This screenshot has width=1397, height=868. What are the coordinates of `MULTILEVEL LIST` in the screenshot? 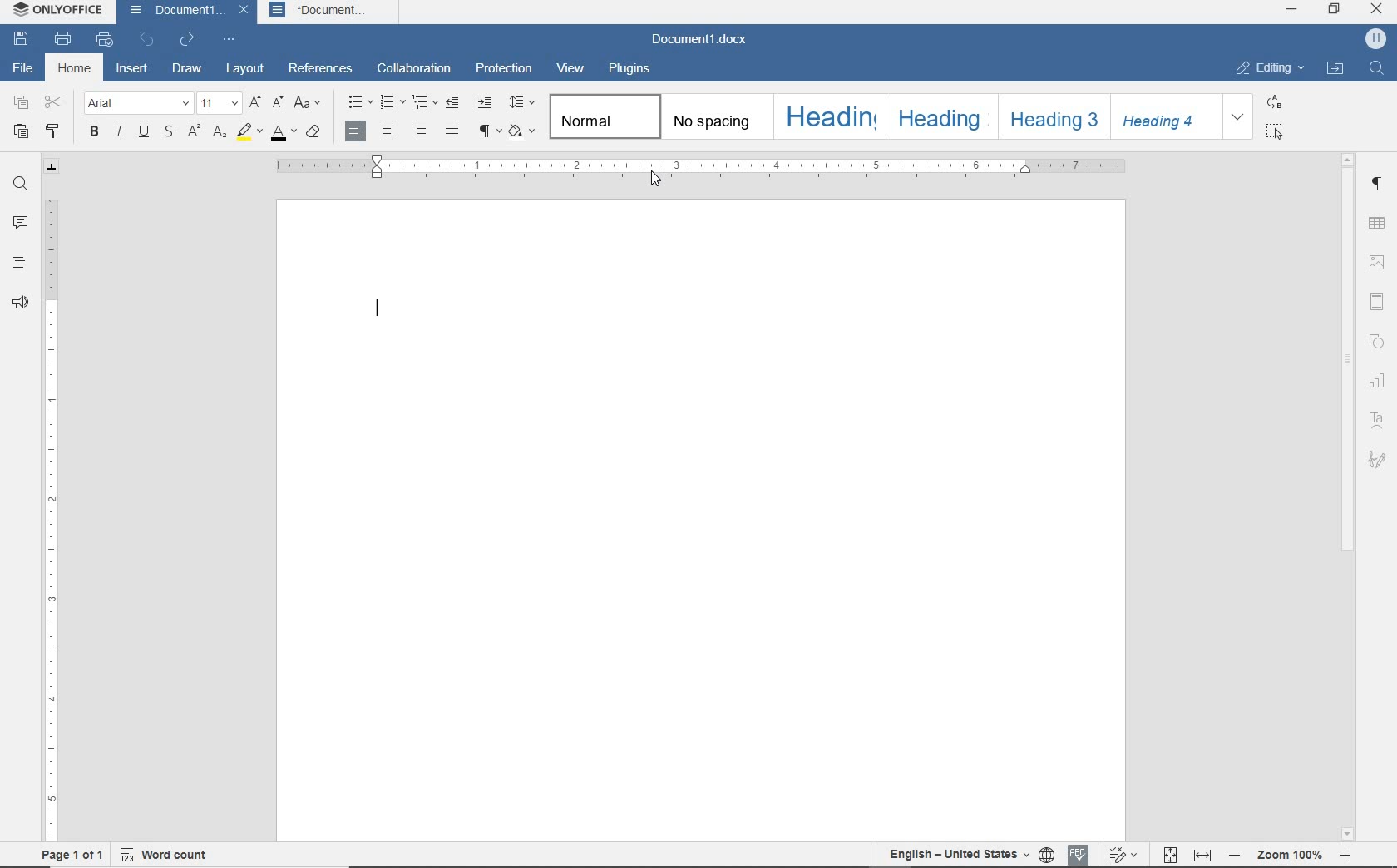 It's located at (425, 101).